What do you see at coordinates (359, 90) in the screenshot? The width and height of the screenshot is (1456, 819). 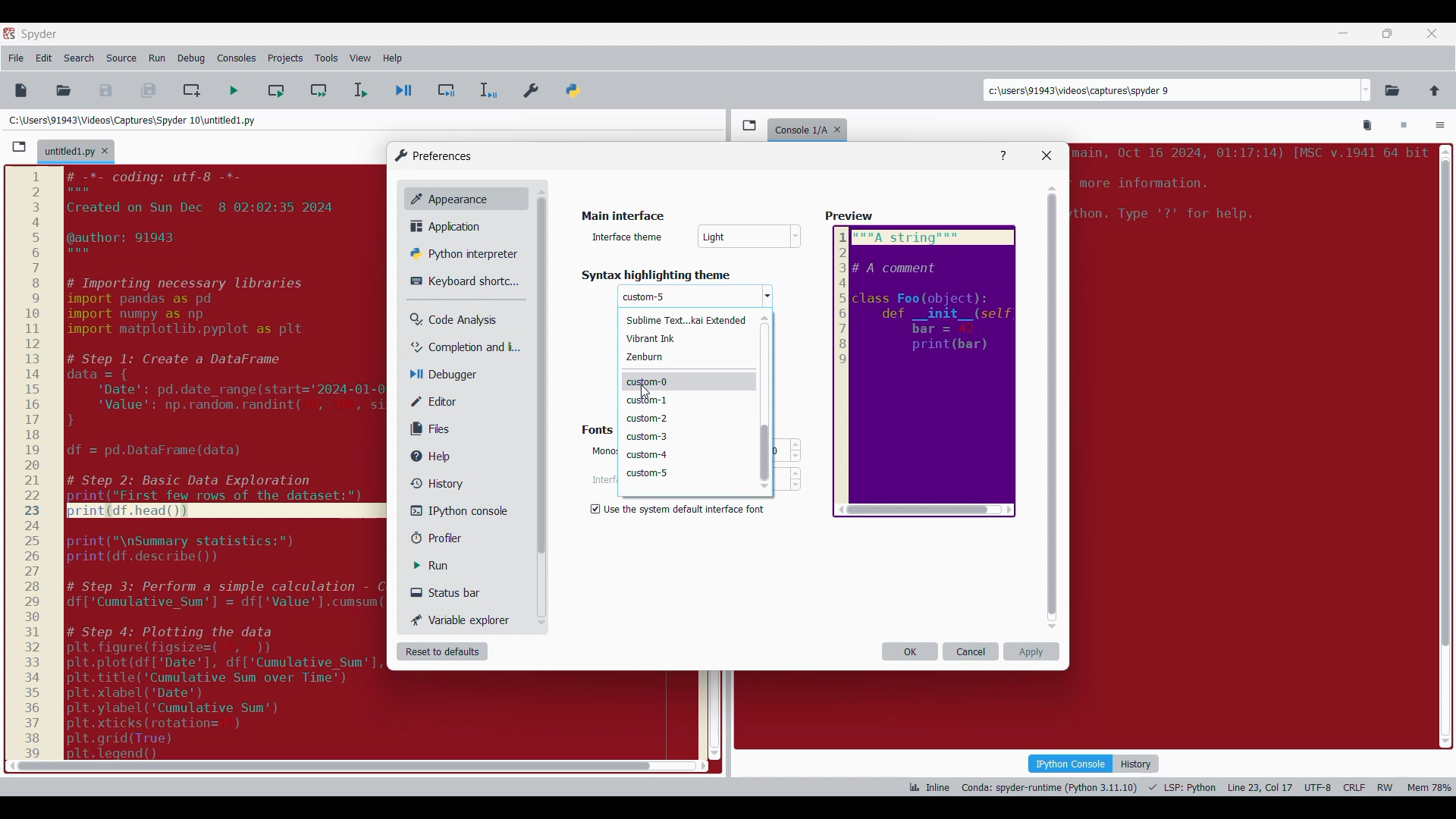 I see `Run selection/current line` at bounding box center [359, 90].